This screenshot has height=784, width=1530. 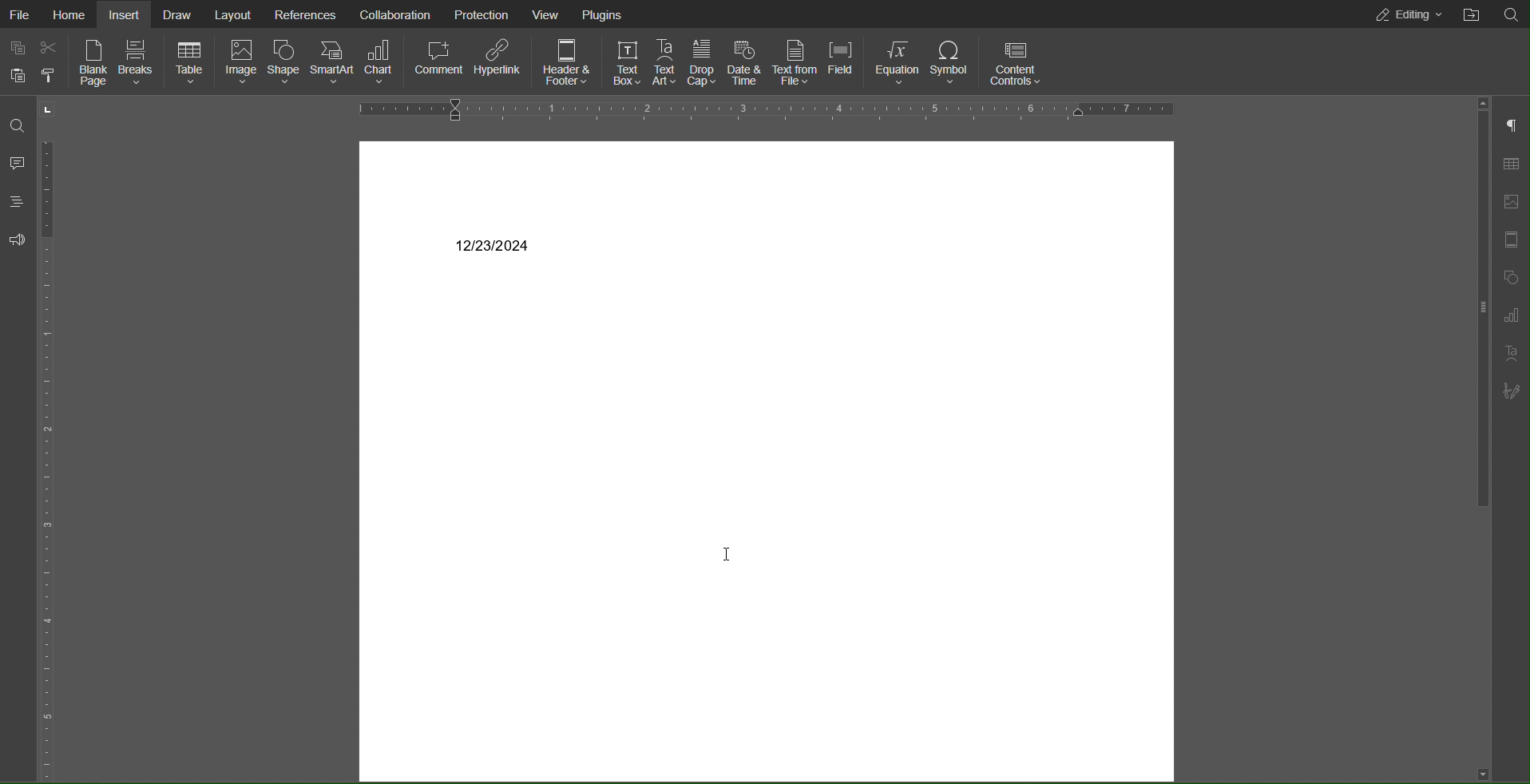 What do you see at coordinates (702, 59) in the screenshot?
I see `Drop Cap` at bounding box center [702, 59].